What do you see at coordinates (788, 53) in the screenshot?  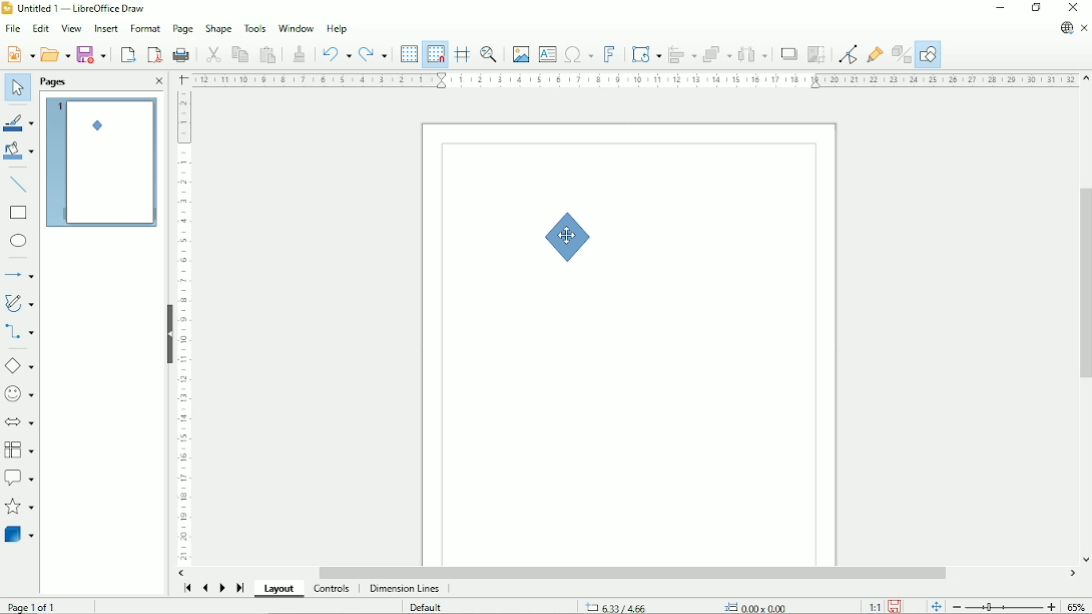 I see `Shadow` at bounding box center [788, 53].